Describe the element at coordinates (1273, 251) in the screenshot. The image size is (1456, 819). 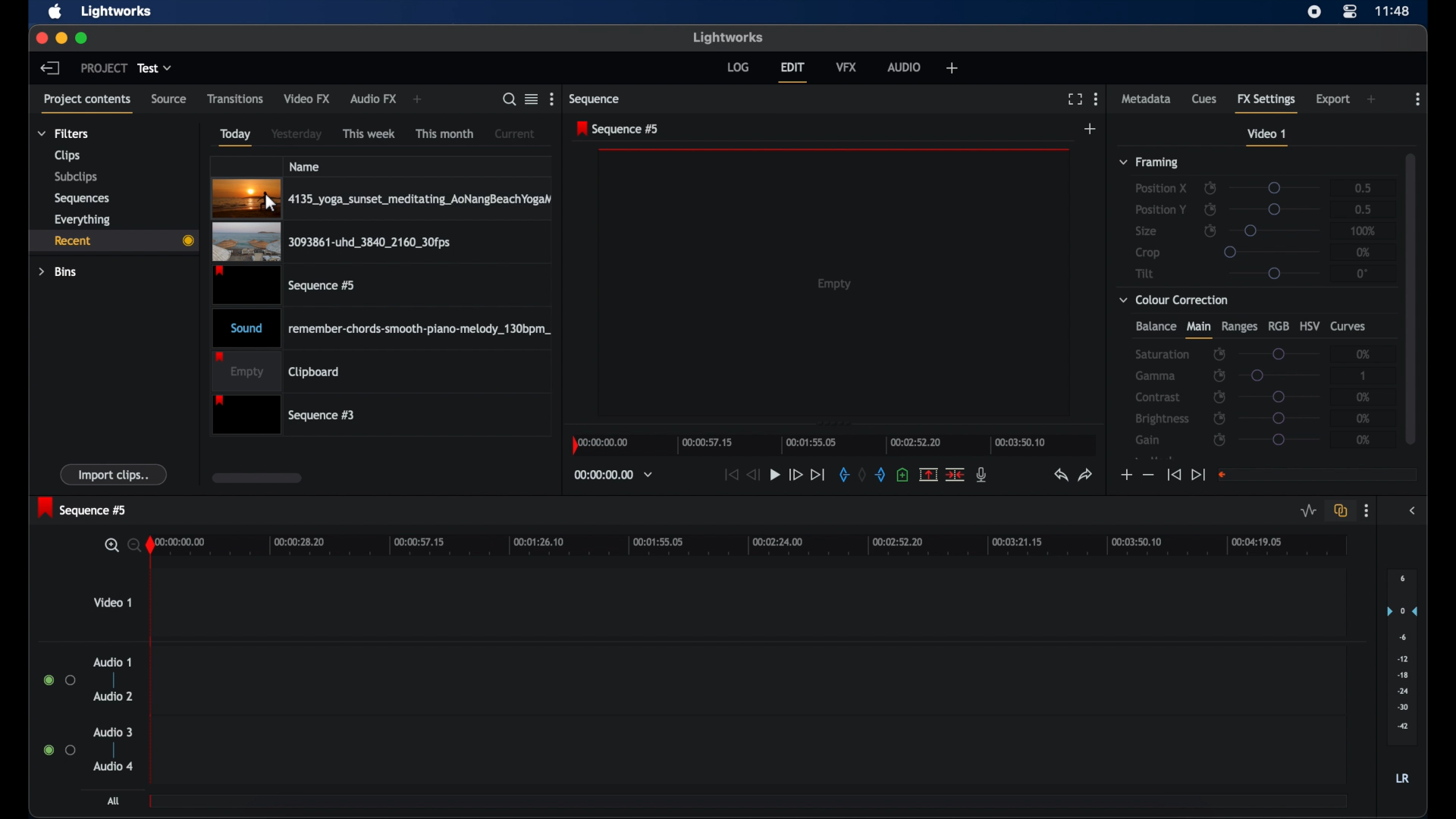
I see `slider` at that location.